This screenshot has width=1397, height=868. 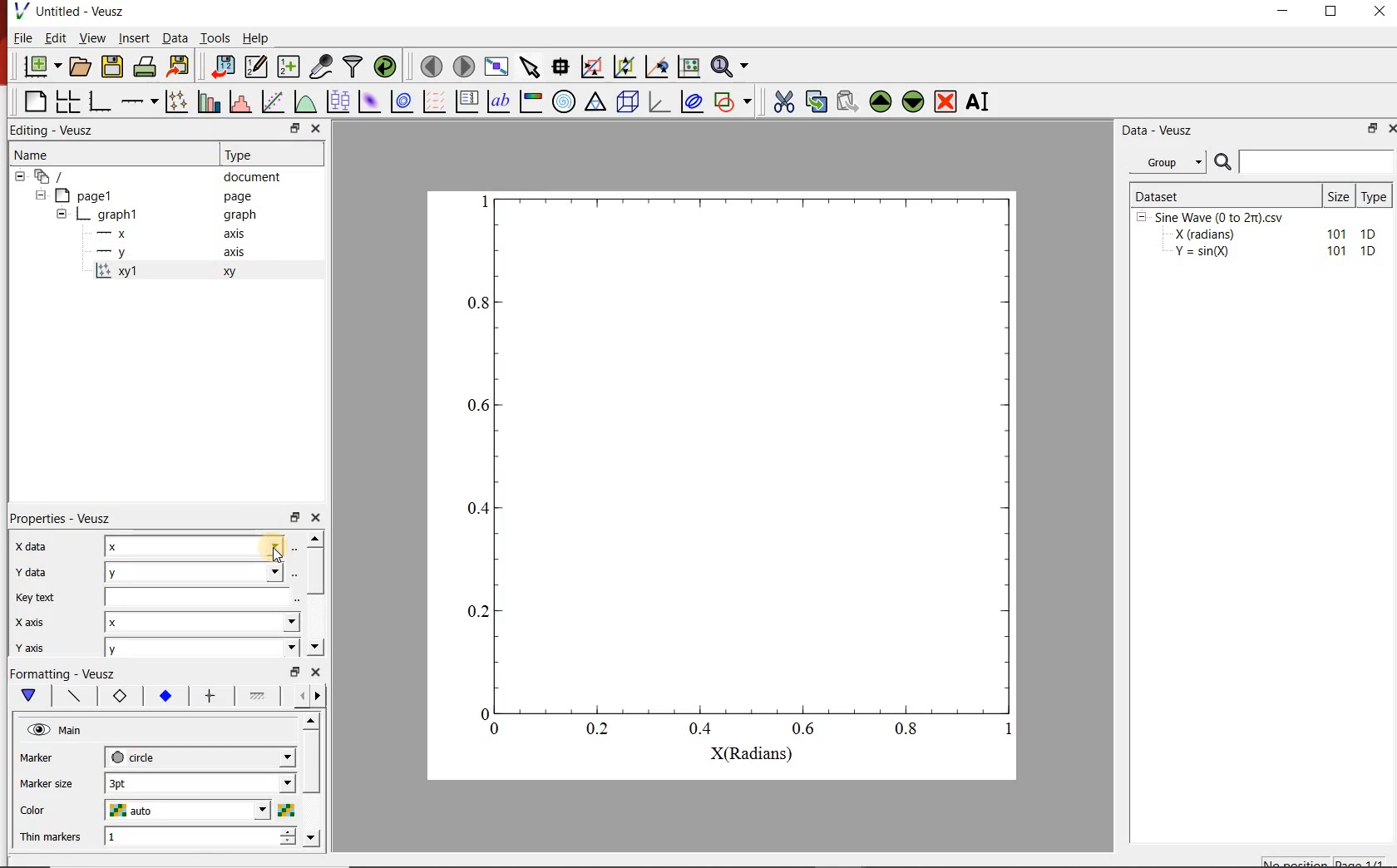 I want to click on File, so click(x=23, y=37).